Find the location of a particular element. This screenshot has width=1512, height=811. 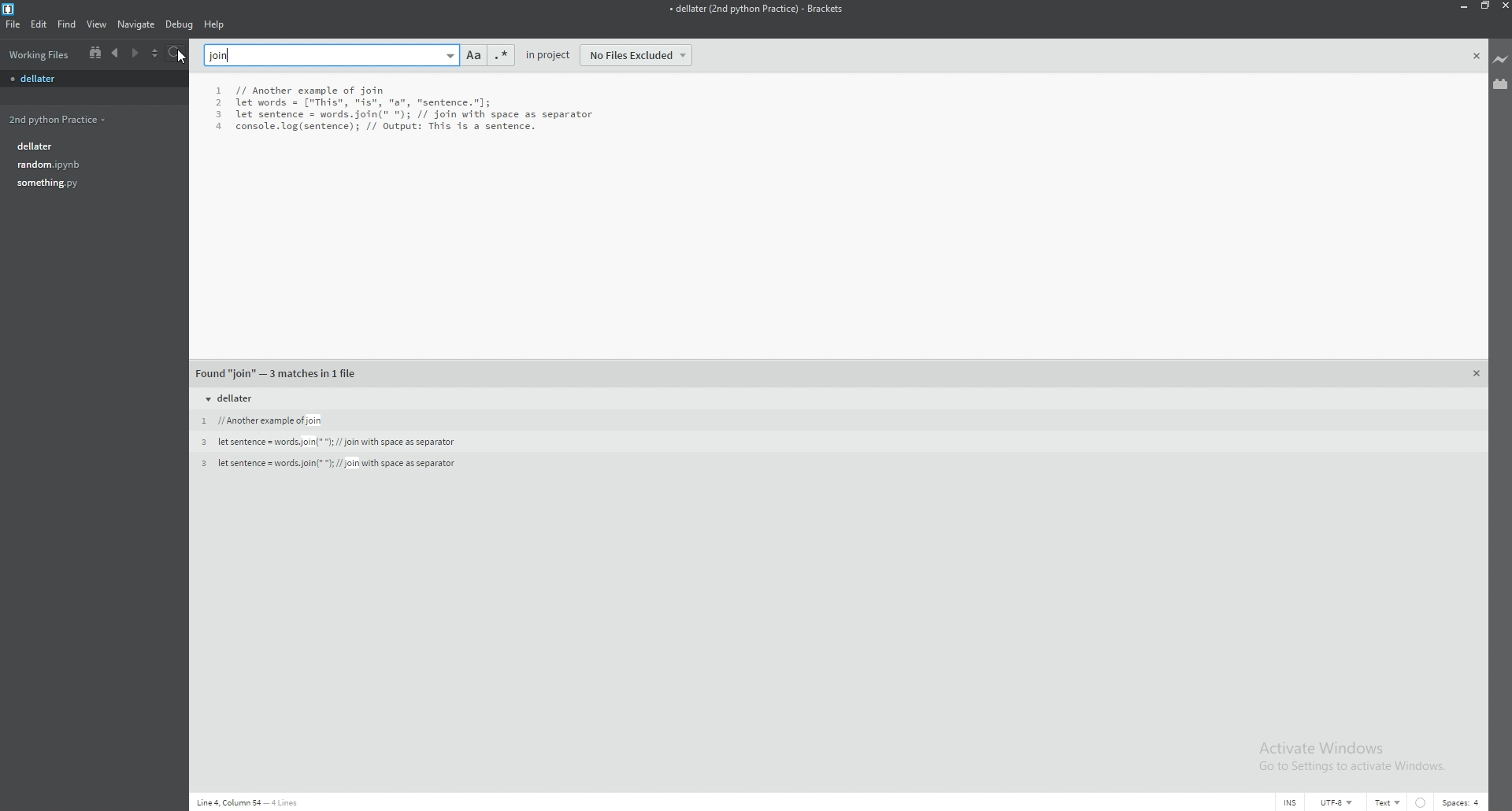

file is located at coordinates (91, 80).